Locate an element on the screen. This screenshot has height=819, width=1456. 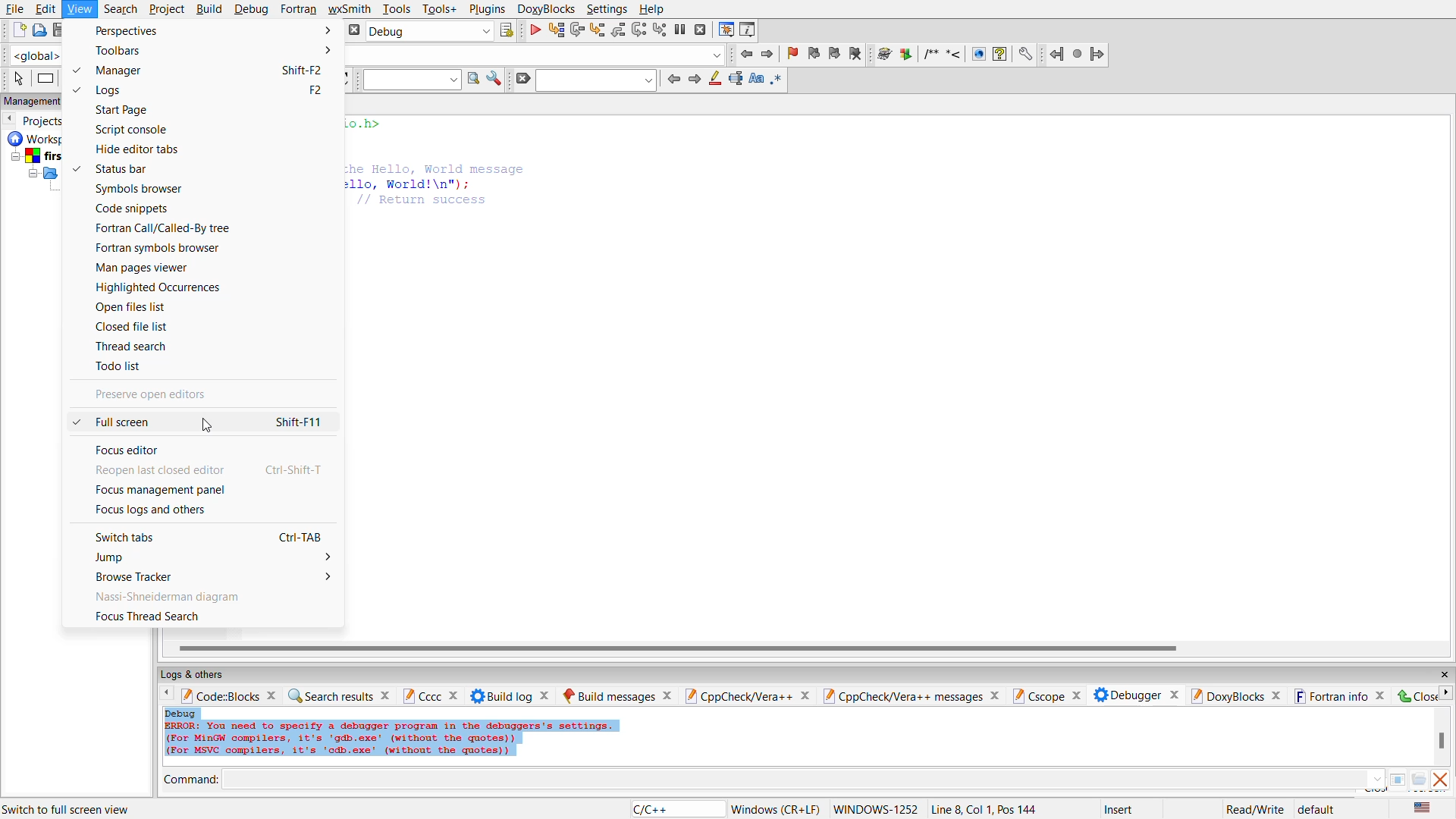
check is located at coordinates (74, 90).